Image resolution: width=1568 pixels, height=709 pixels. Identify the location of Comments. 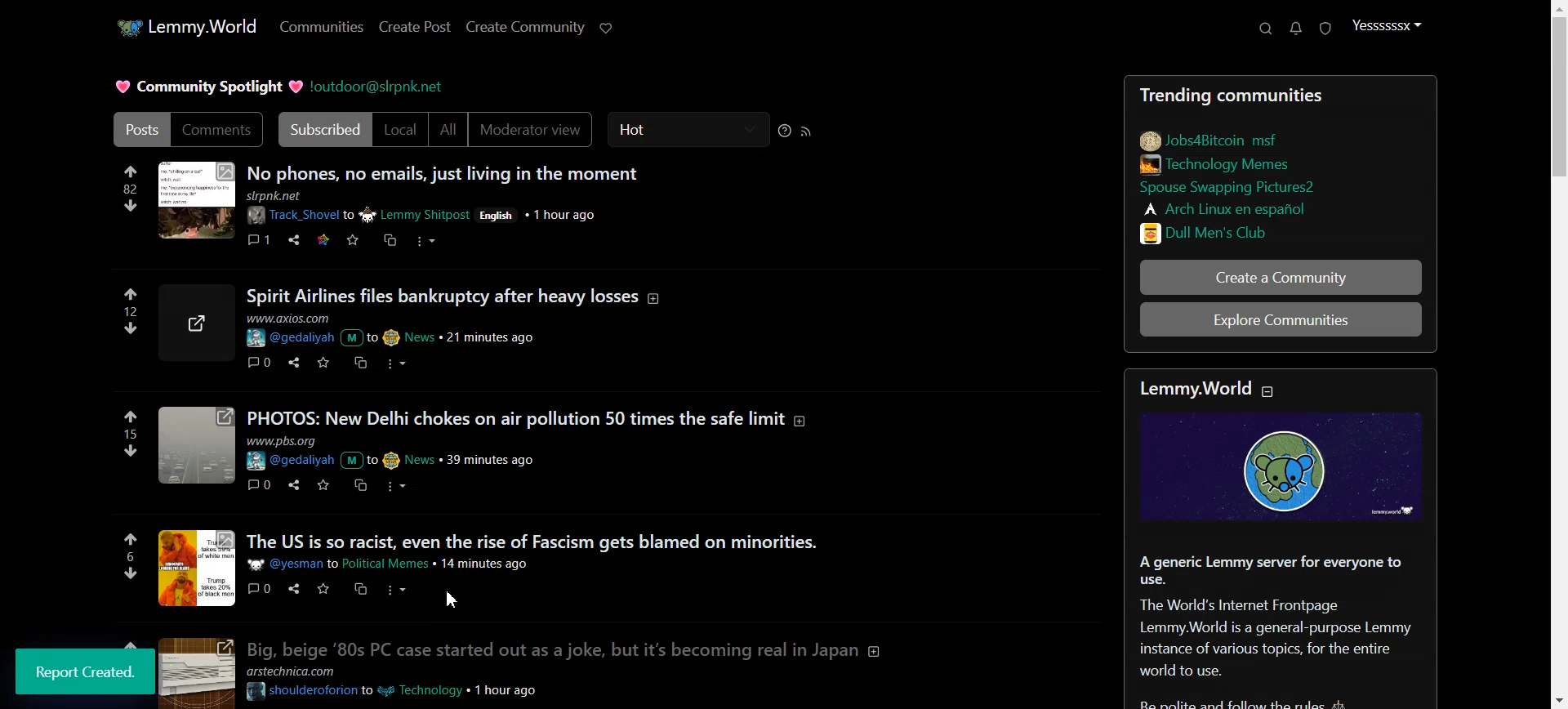
(217, 130).